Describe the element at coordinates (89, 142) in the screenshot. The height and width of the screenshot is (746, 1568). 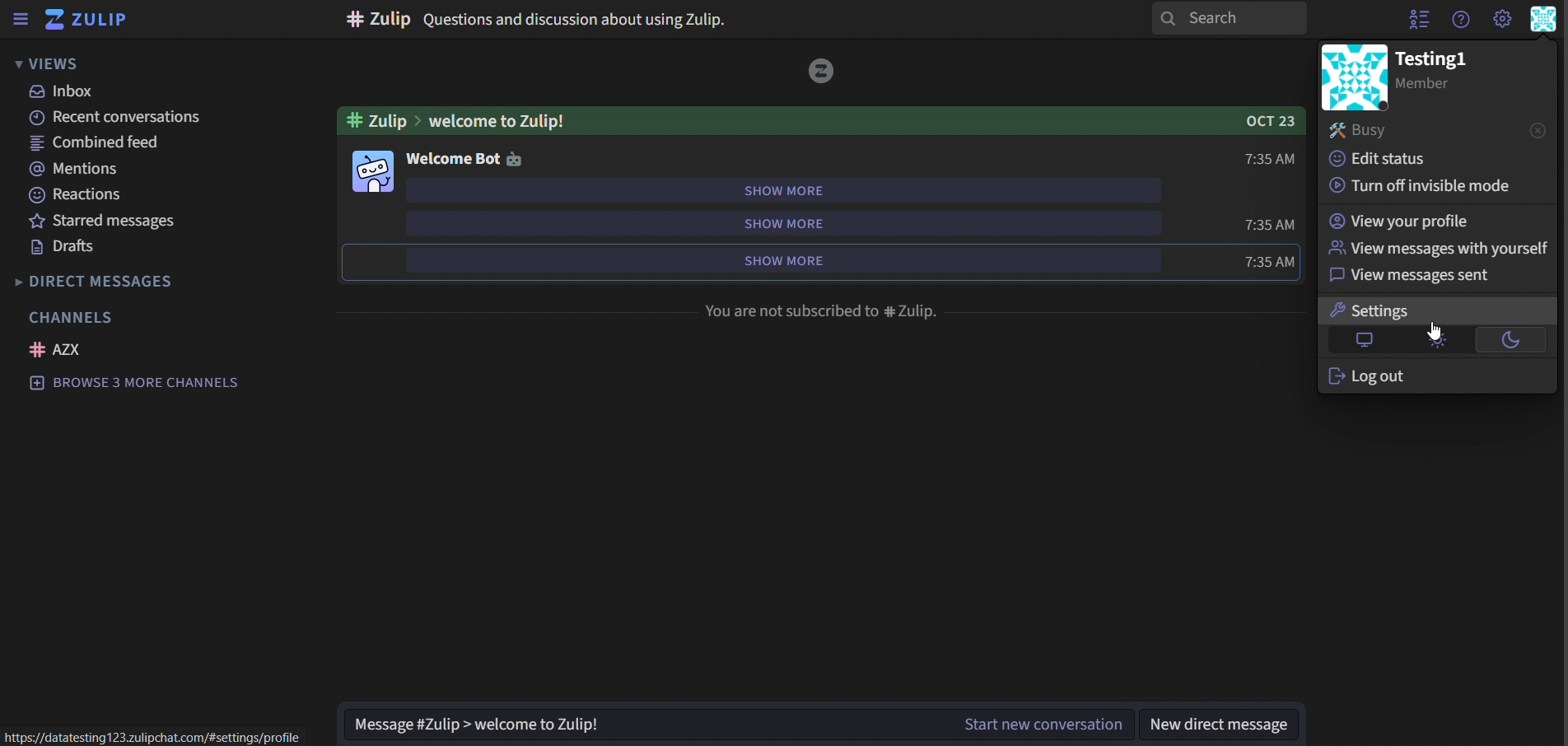
I see `combined feed` at that location.